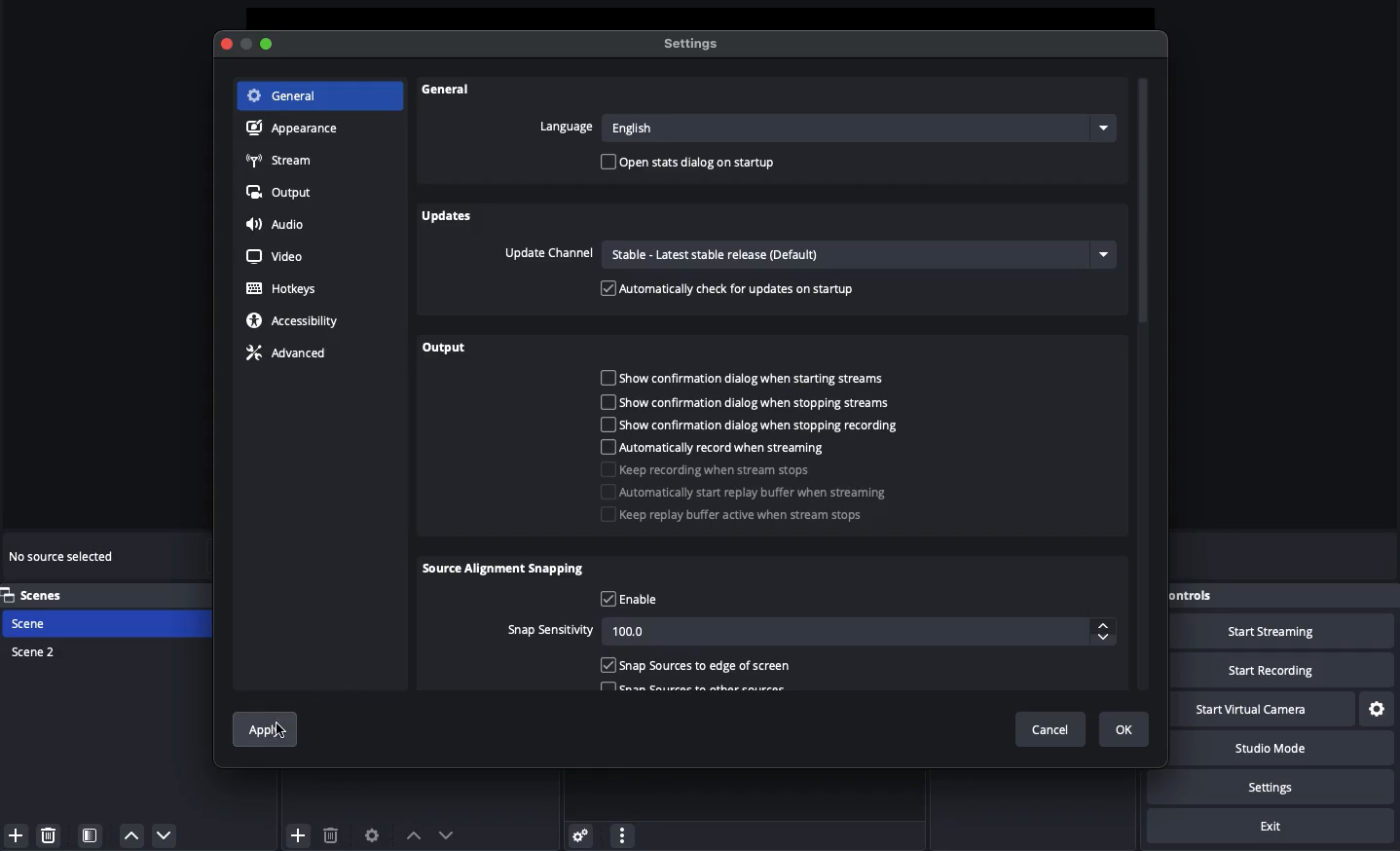 Image resolution: width=1400 pixels, height=851 pixels. Describe the element at coordinates (631, 600) in the screenshot. I see `Enable` at that location.